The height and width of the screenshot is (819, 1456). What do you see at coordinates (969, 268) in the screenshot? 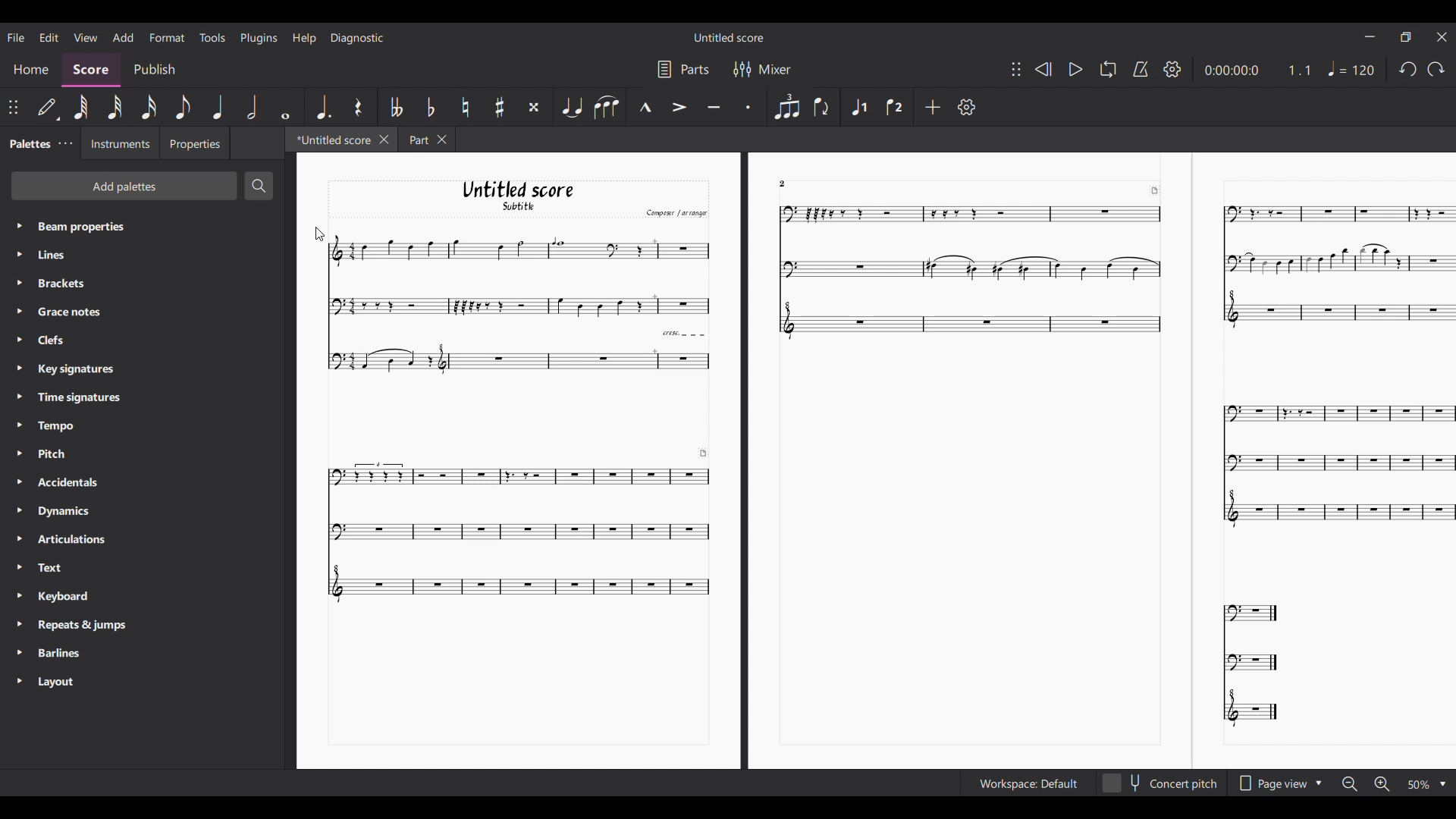
I see `` at bounding box center [969, 268].